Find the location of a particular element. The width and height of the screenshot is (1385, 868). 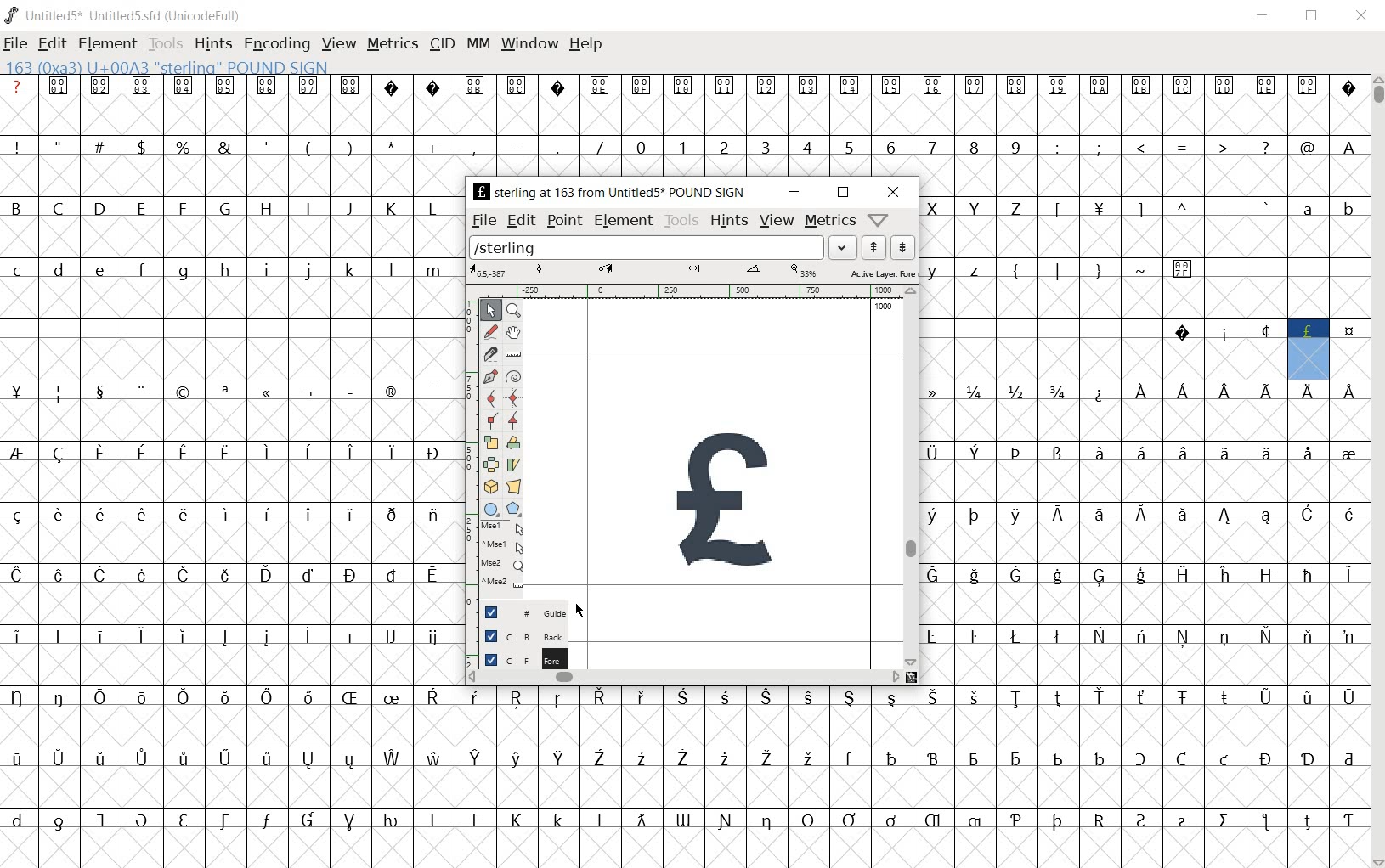

G is located at coordinates (223, 208).